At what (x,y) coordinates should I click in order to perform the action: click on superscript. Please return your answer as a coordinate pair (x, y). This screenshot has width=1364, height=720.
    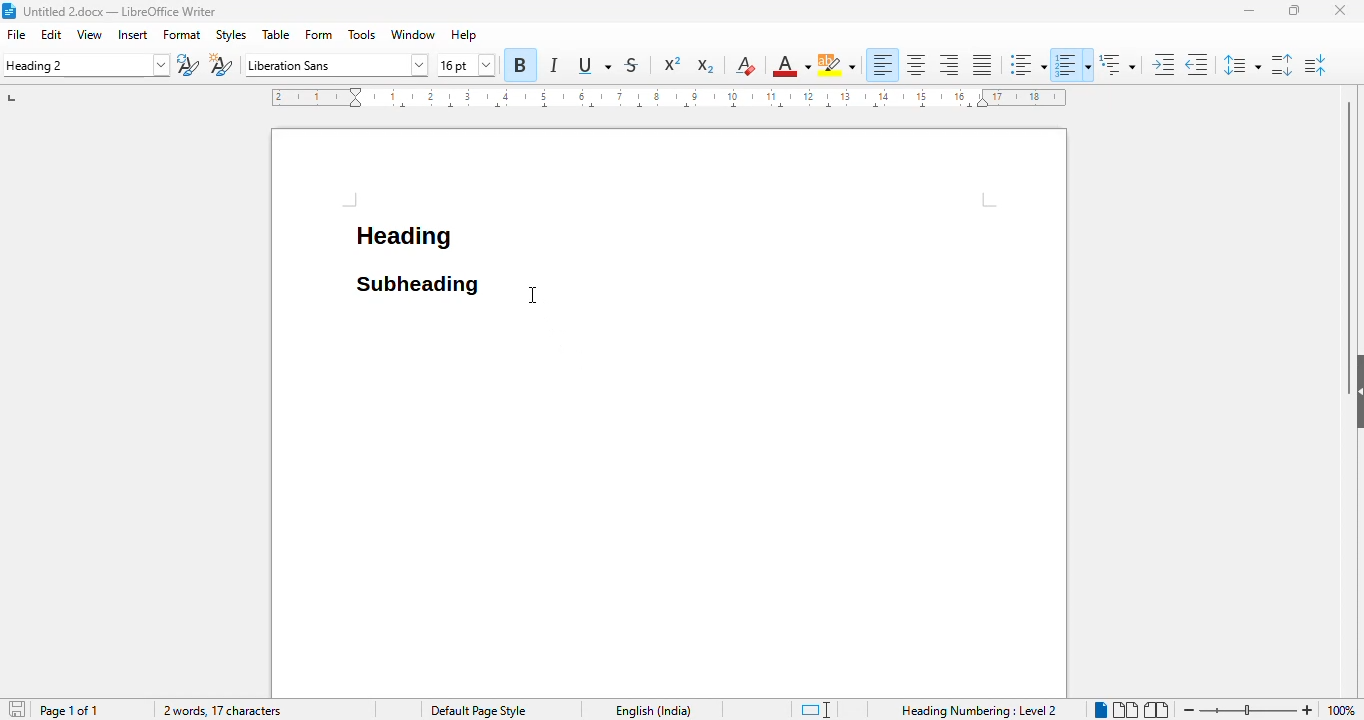
    Looking at the image, I should click on (673, 64).